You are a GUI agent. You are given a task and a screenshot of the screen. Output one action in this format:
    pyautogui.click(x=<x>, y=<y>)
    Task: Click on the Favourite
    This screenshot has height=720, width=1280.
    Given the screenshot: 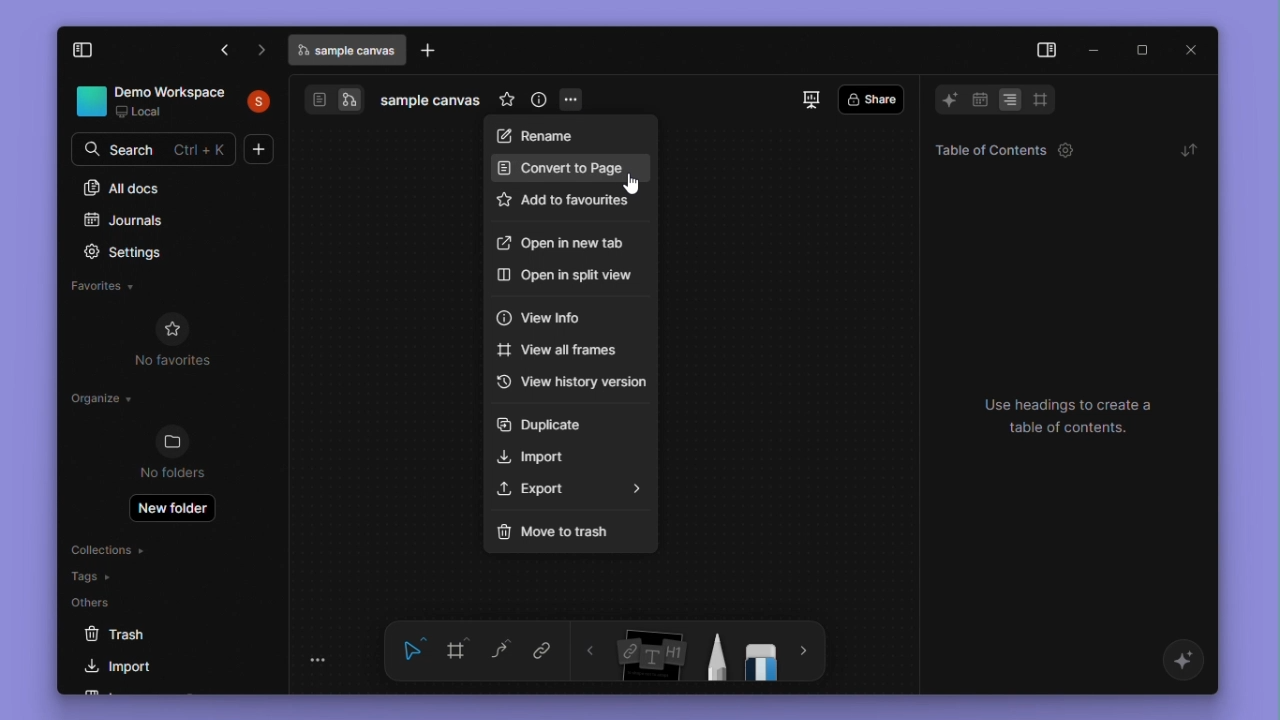 What is the action you would take?
    pyautogui.click(x=106, y=286)
    